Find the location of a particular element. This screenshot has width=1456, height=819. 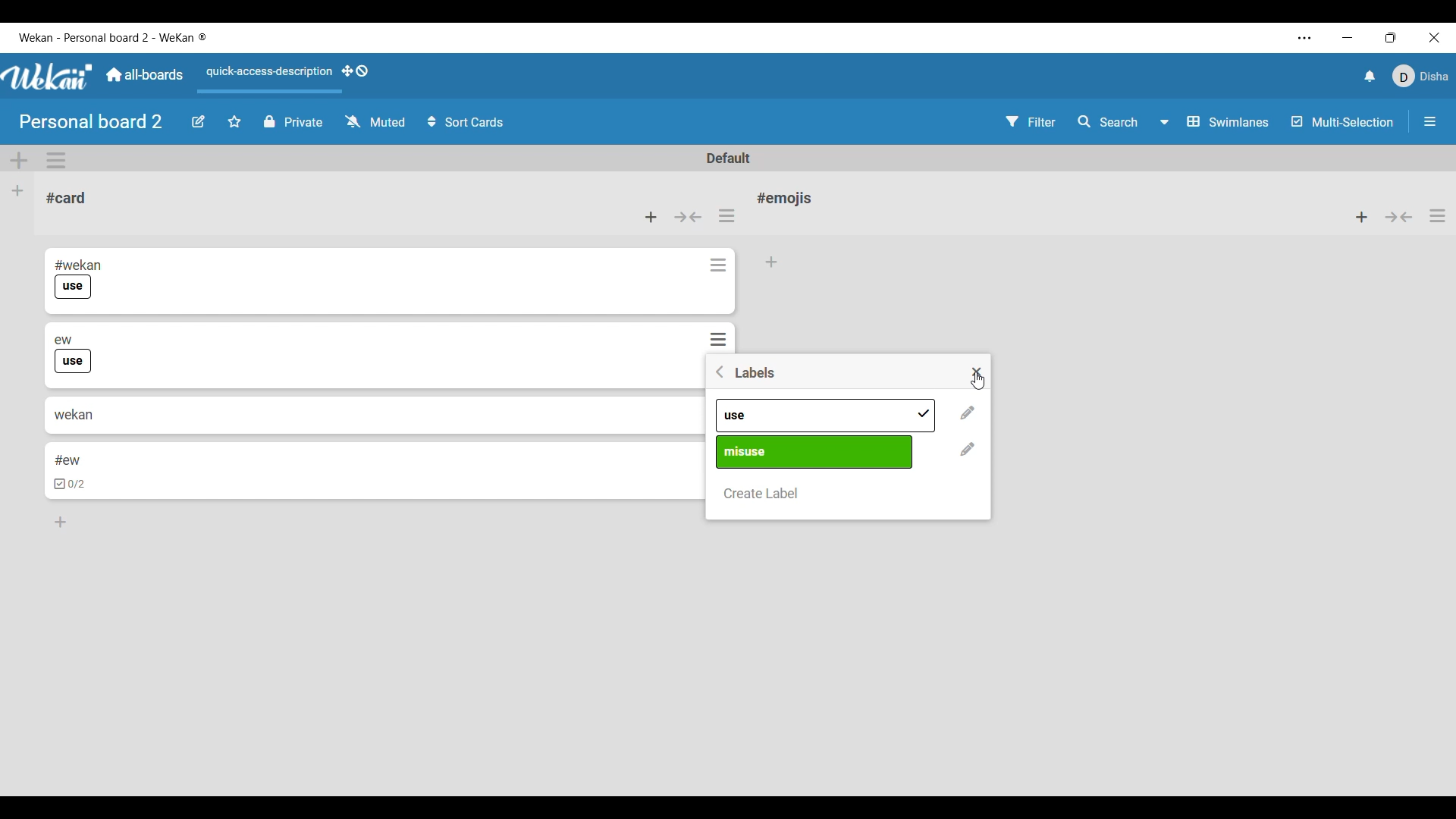

List actions is located at coordinates (1437, 216).